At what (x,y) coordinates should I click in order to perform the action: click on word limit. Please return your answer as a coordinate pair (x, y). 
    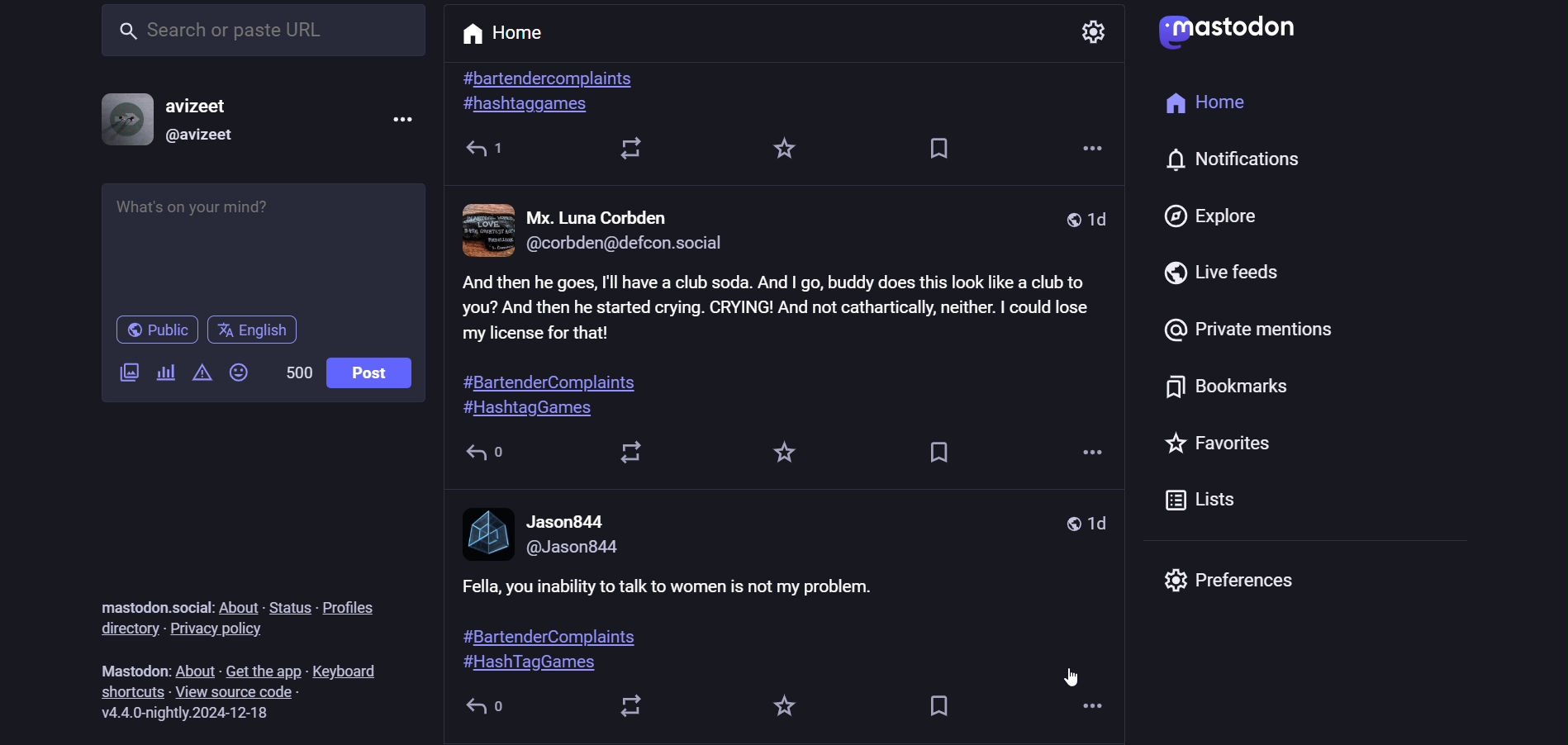
    Looking at the image, I should click on (295, 370).